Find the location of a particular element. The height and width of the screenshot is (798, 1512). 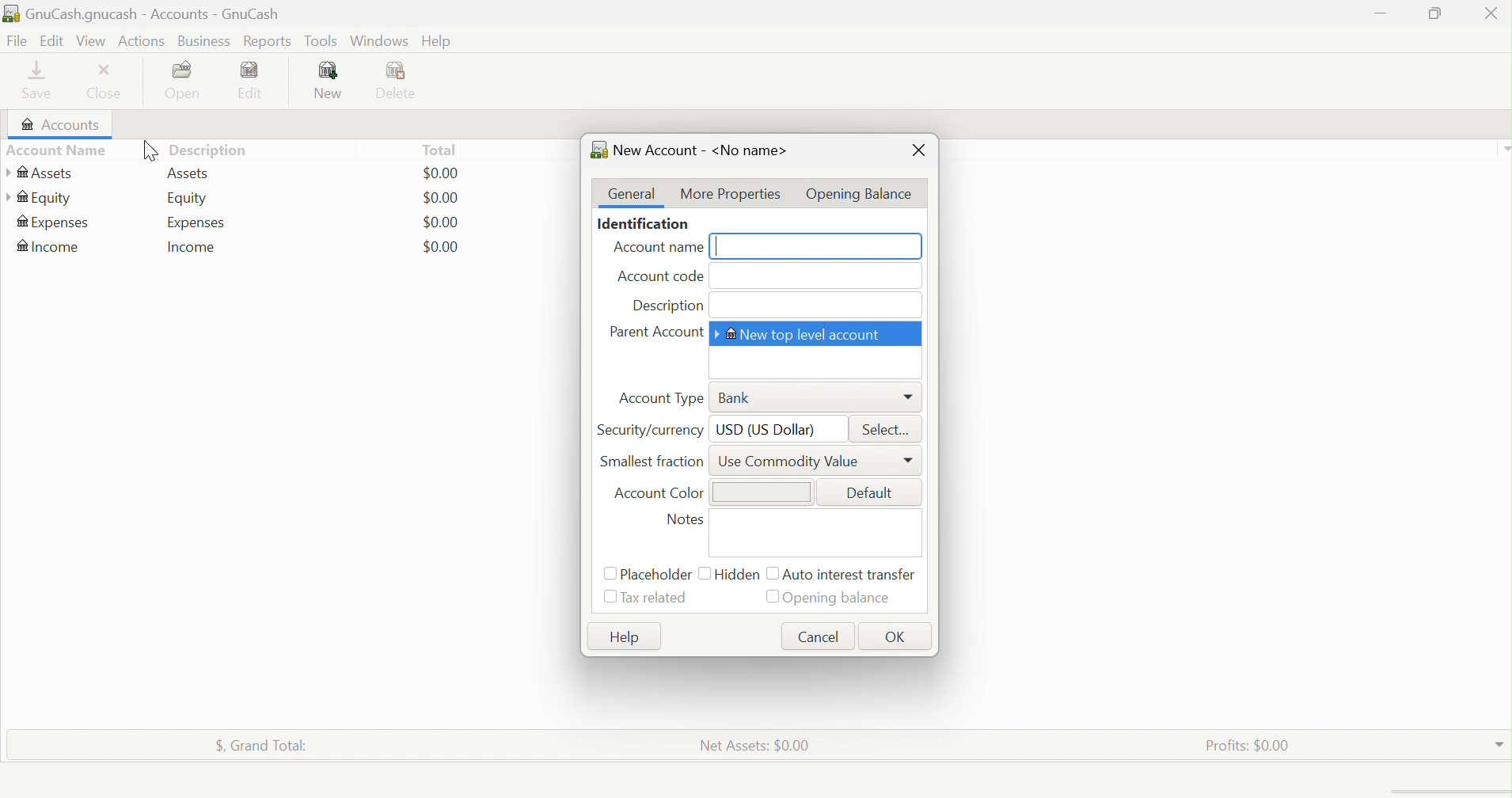

Account name is located at coordinates (654, 249).